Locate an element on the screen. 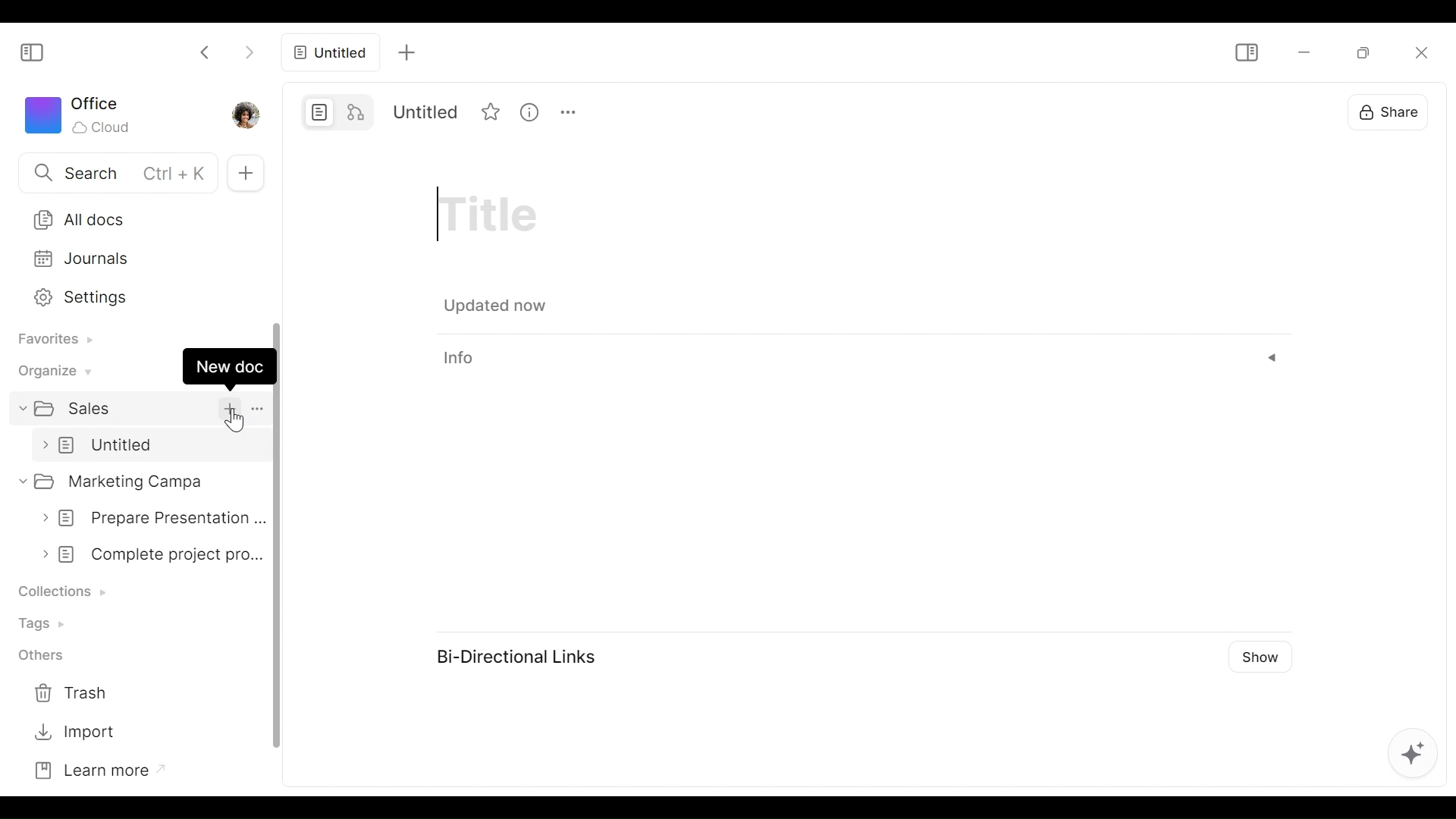 The image size is (1456, 819). Settings is located at coordinates (133, 296).